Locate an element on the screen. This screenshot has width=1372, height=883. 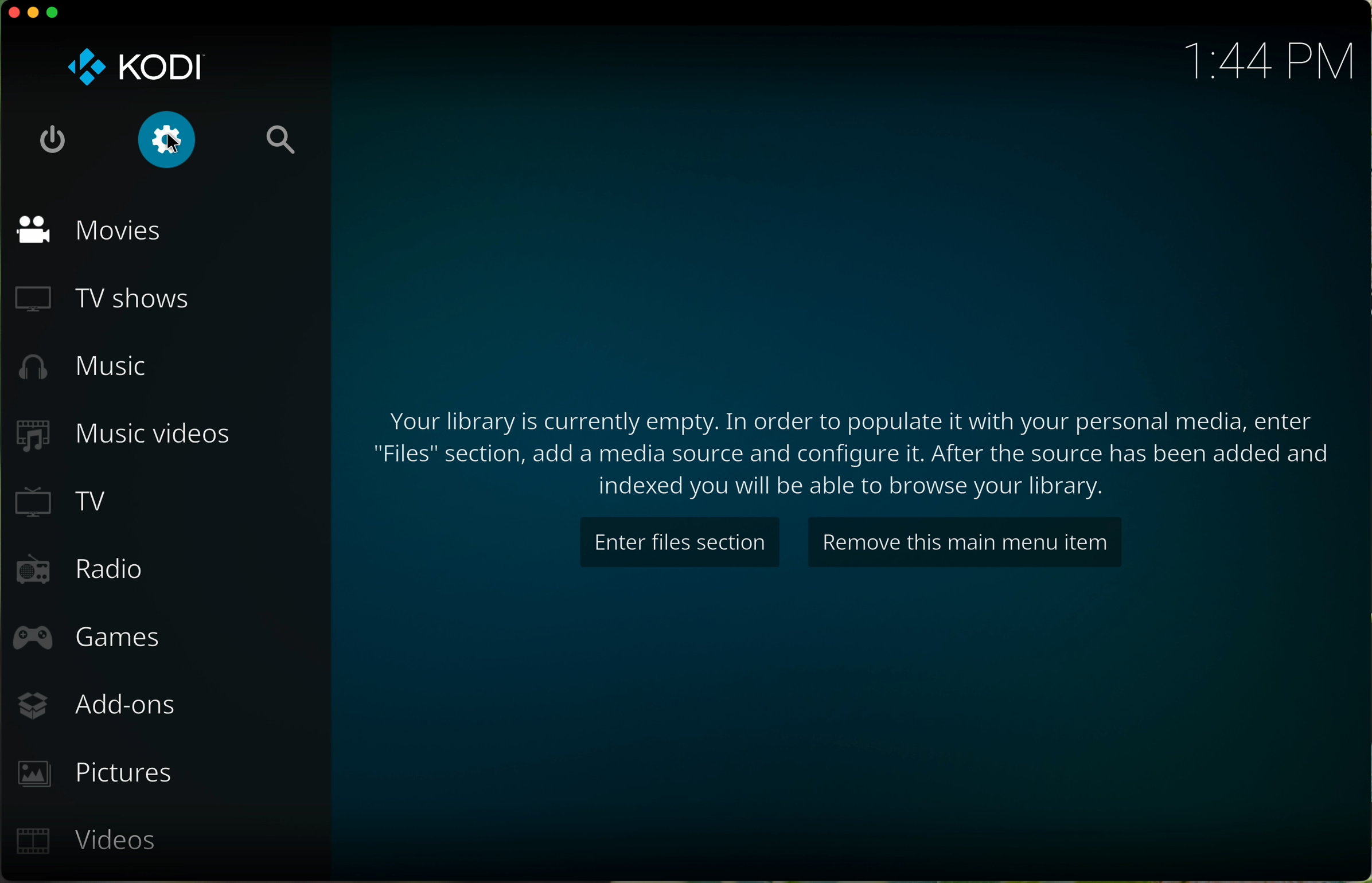
KODI logo is located at coordinates (132, 64).